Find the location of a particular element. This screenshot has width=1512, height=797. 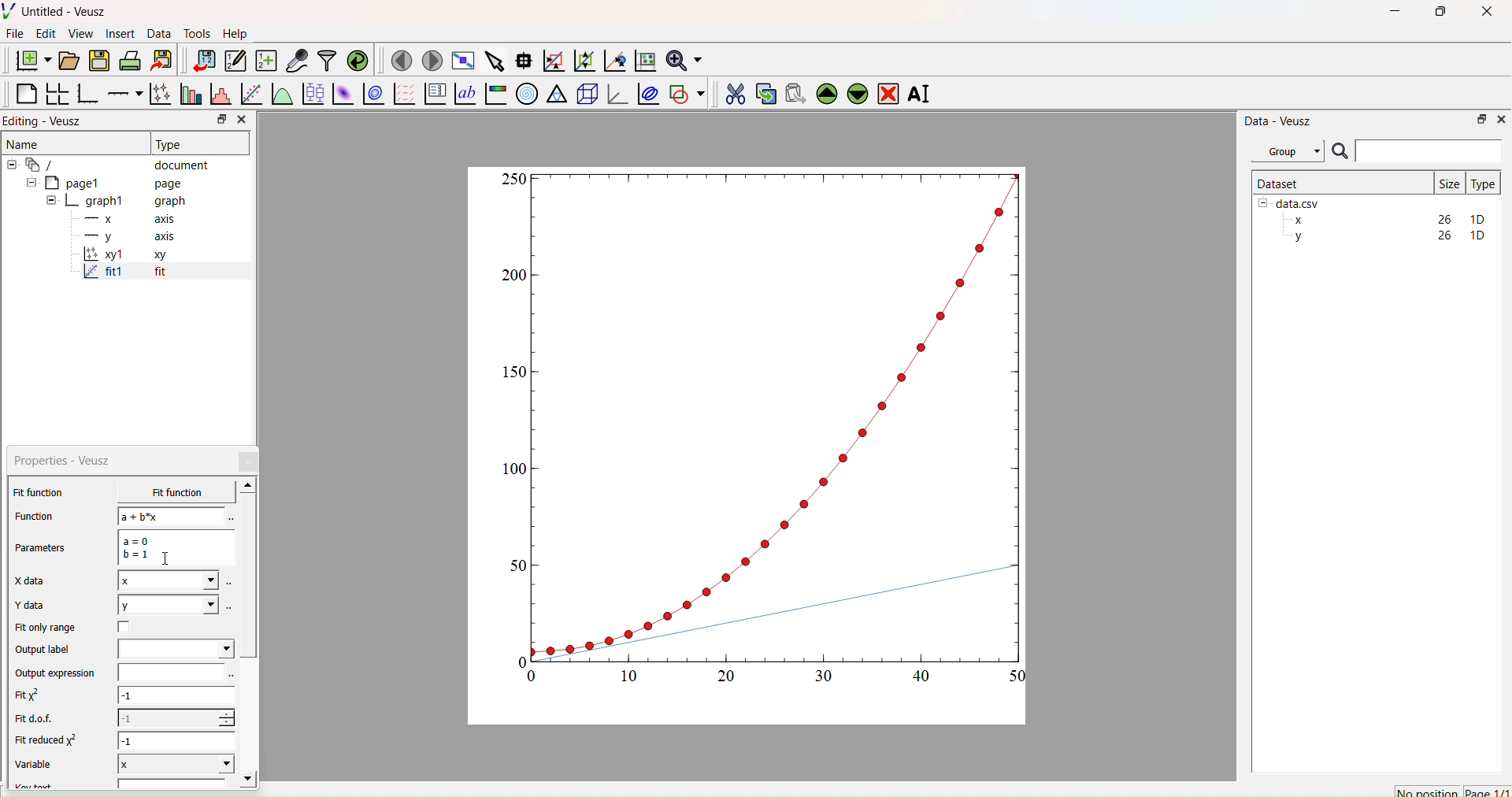

-1 is located at coordinates (176, 698).